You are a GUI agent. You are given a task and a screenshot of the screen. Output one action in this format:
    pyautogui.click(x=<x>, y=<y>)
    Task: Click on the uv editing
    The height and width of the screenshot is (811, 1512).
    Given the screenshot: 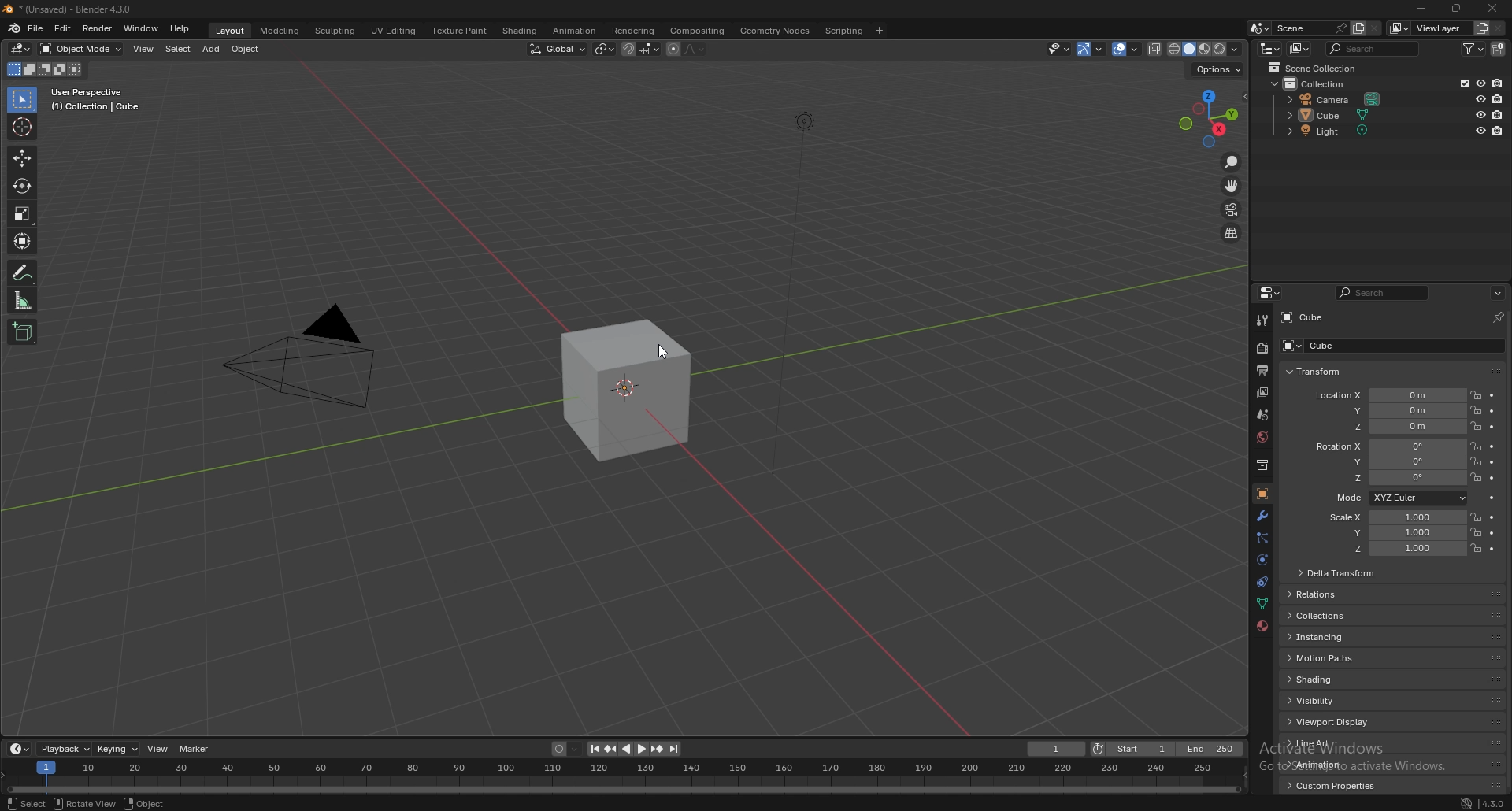 What is the action you would take?
    pyautogui.click(x=395, y=31)
    